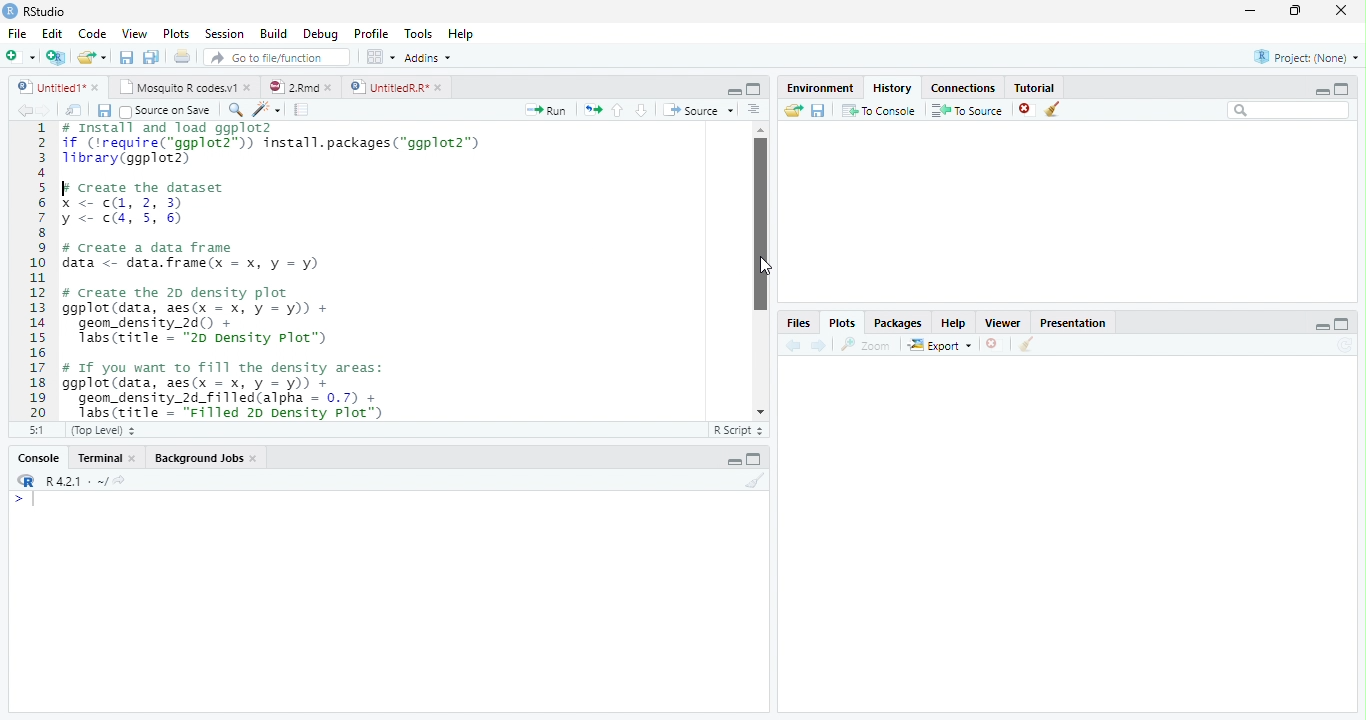 The height and width of the screenshot is (720, 1366). I want to click on Source, so click(698, 110).